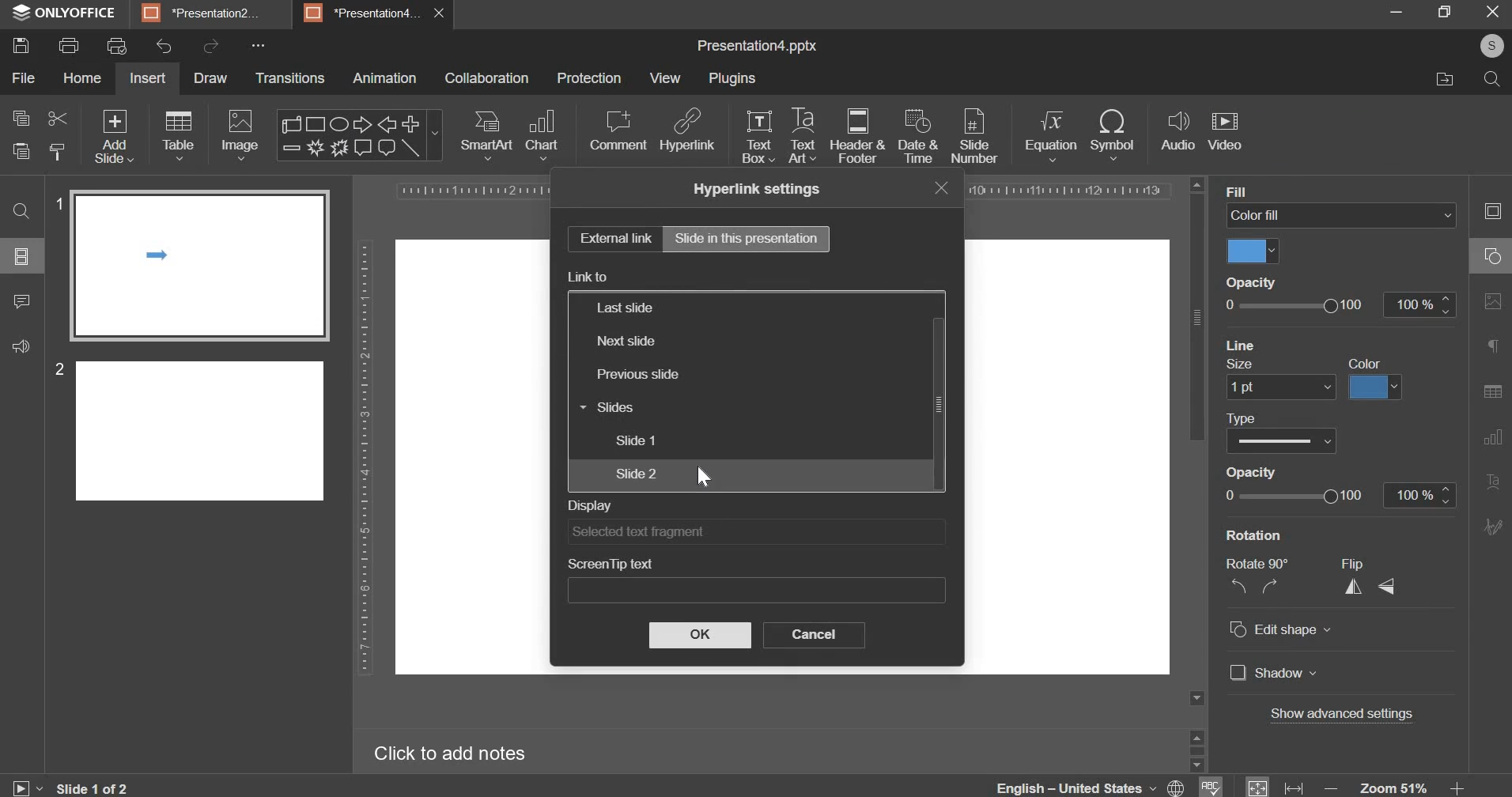  I want to click on video, so click(1225, 130).